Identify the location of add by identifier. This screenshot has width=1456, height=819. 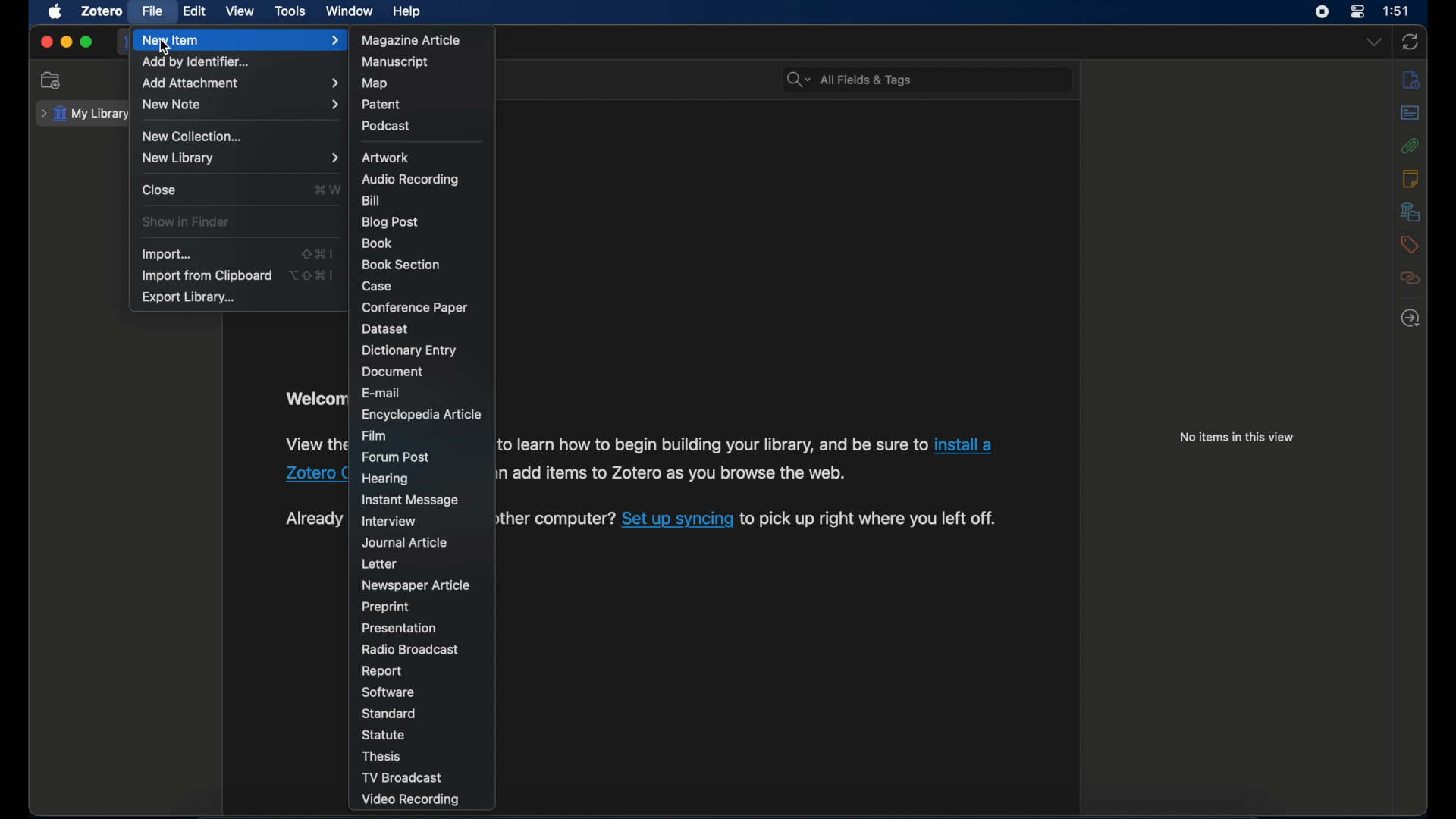
(197, 62).